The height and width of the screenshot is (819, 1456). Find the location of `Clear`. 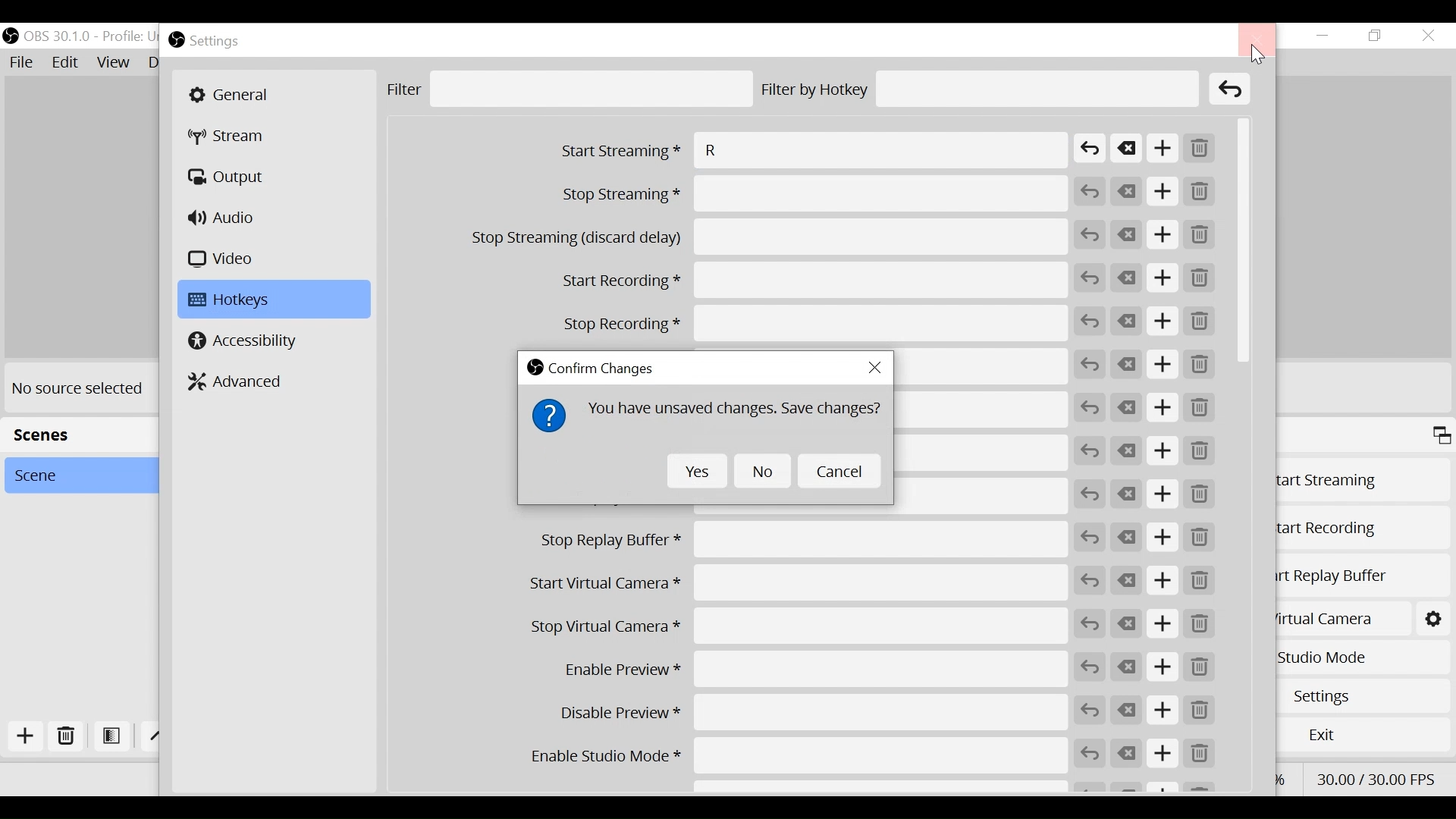

Clear is located at coordinates (1127, 321).